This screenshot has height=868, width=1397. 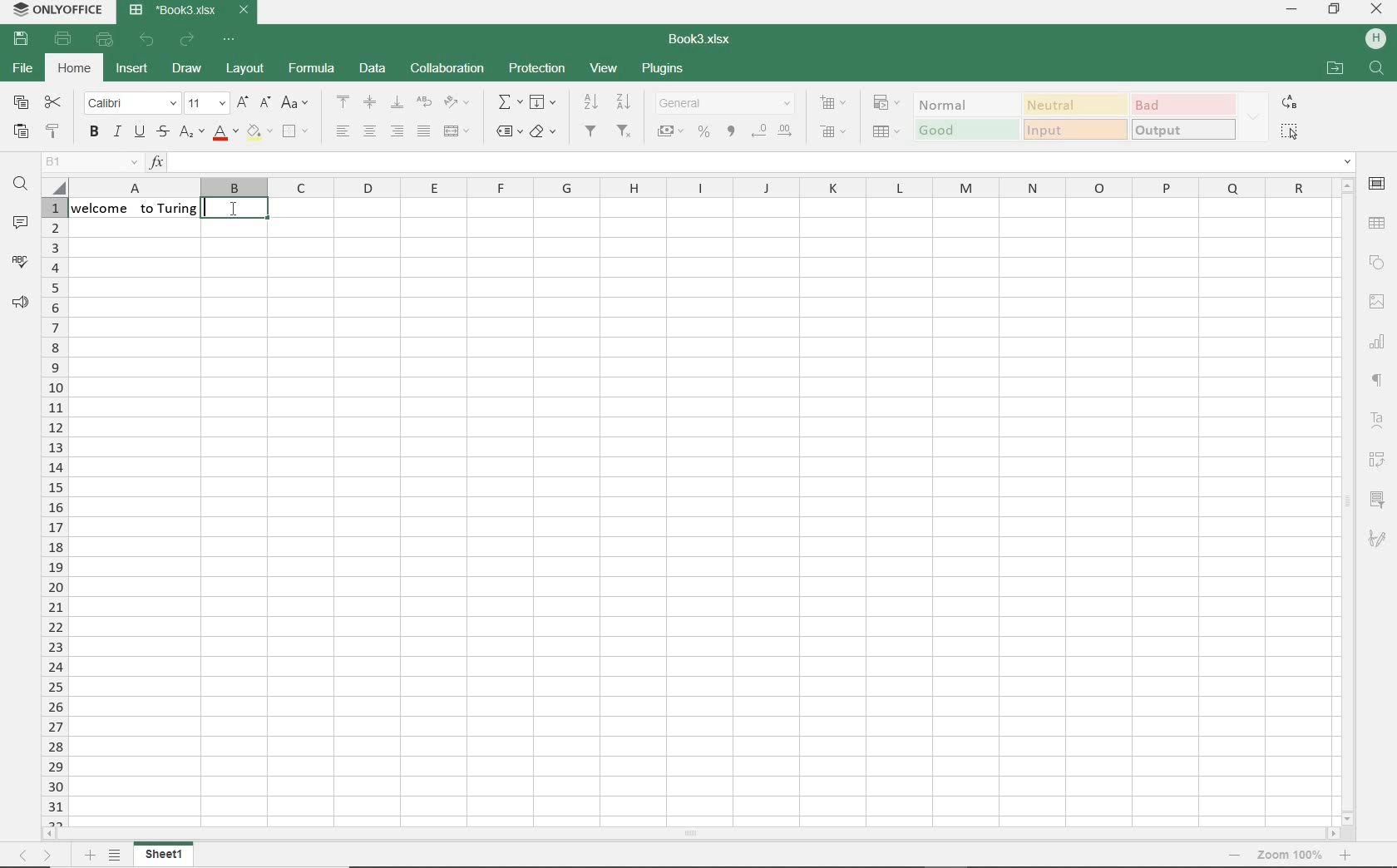 I want to click on OPEN FILE LOCATION, so click(x=1335, y=67).